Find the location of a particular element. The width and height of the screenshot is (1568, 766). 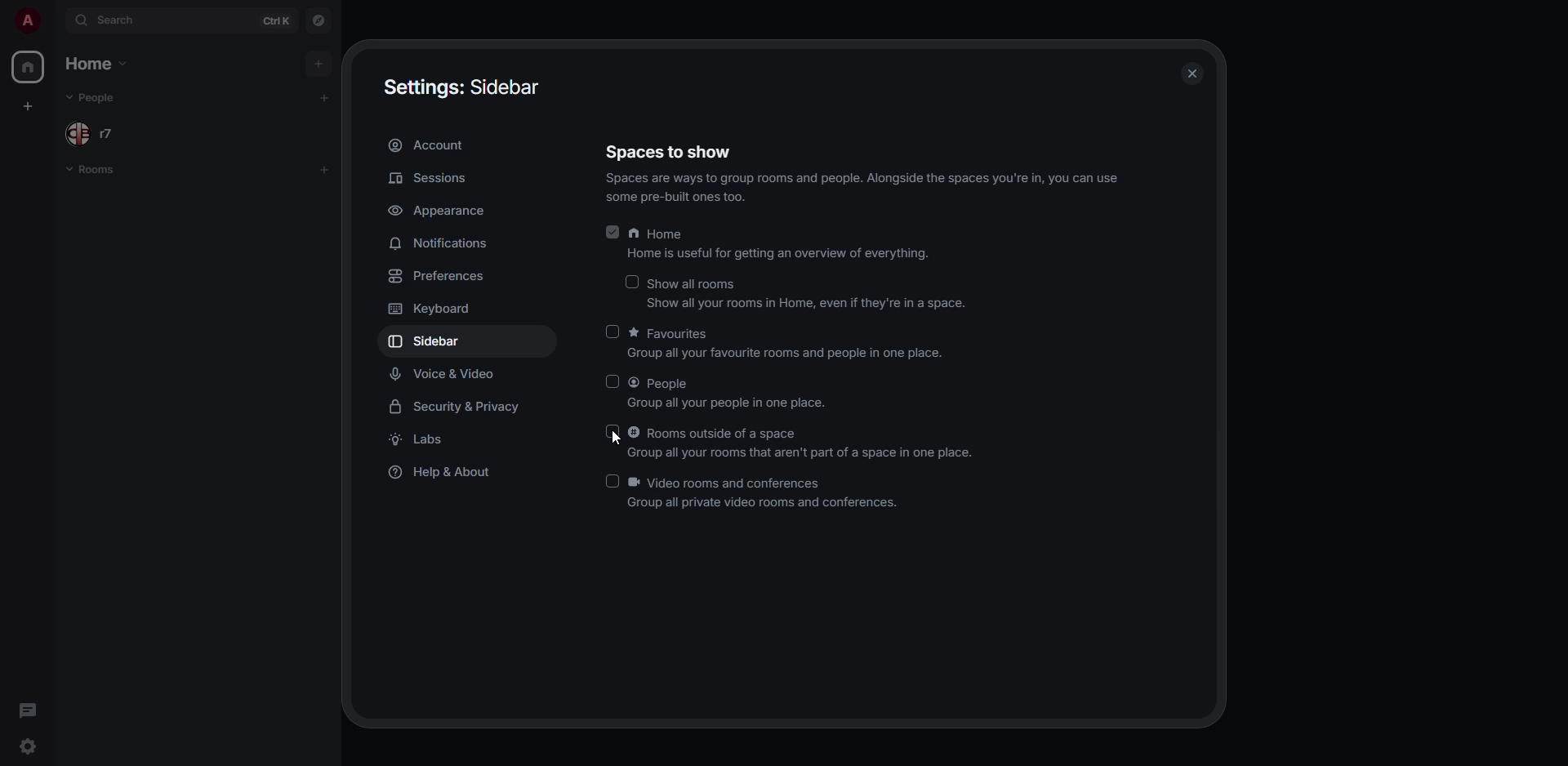

people is located at coordinates (731, 394).